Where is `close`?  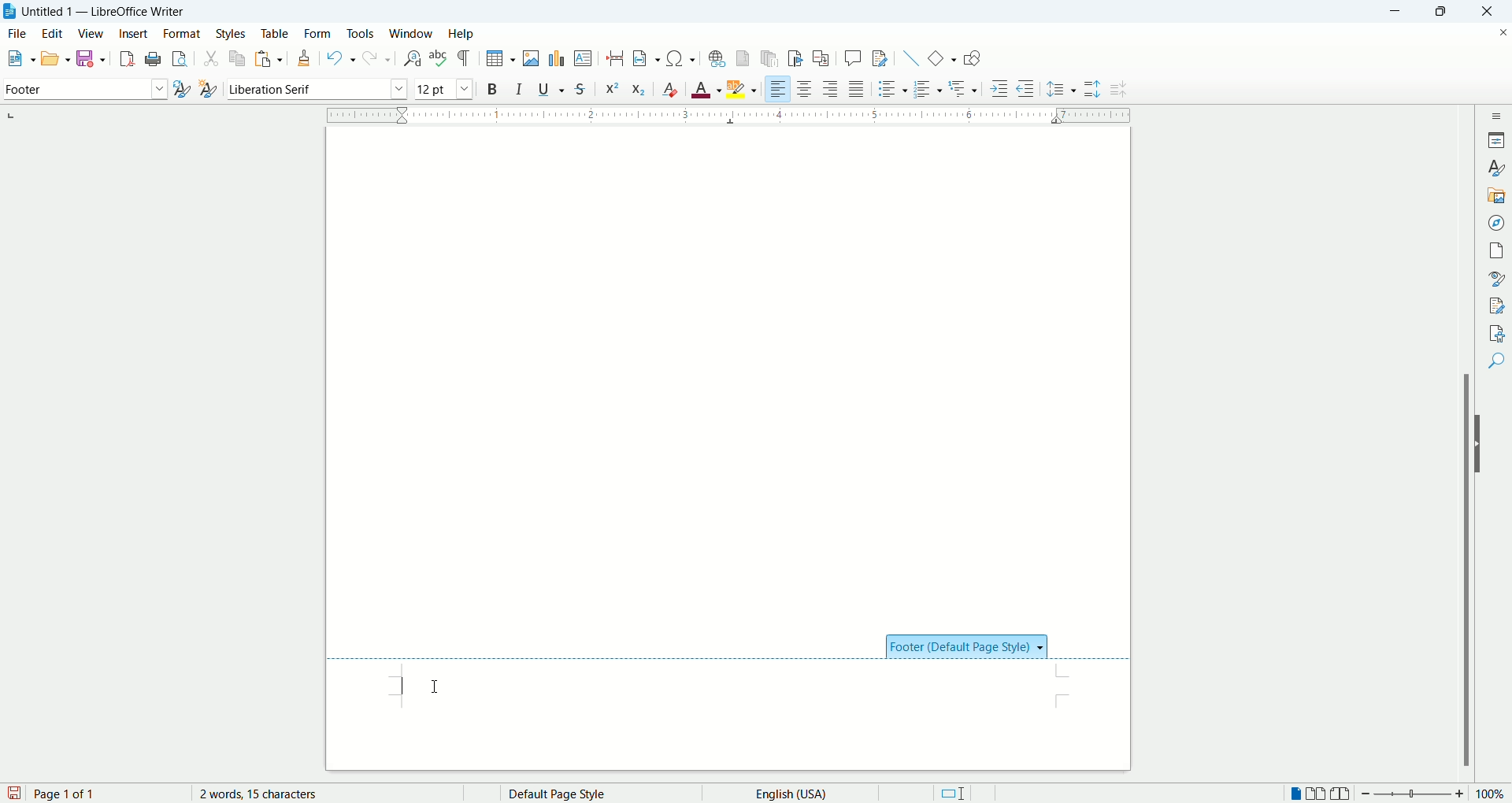 close is located at coordinates (1492, 11).